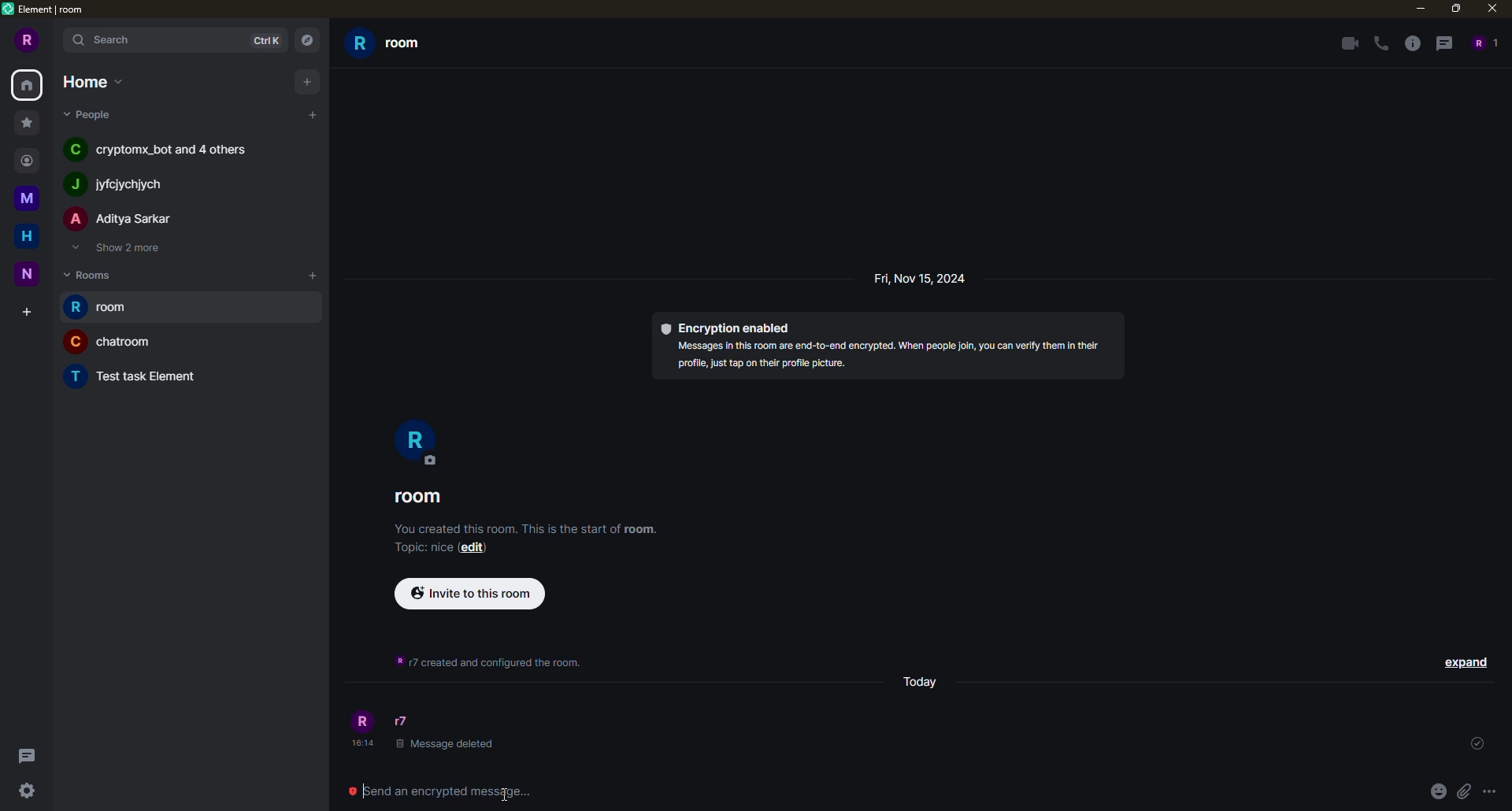  I want to click on info, so click(891, 355).